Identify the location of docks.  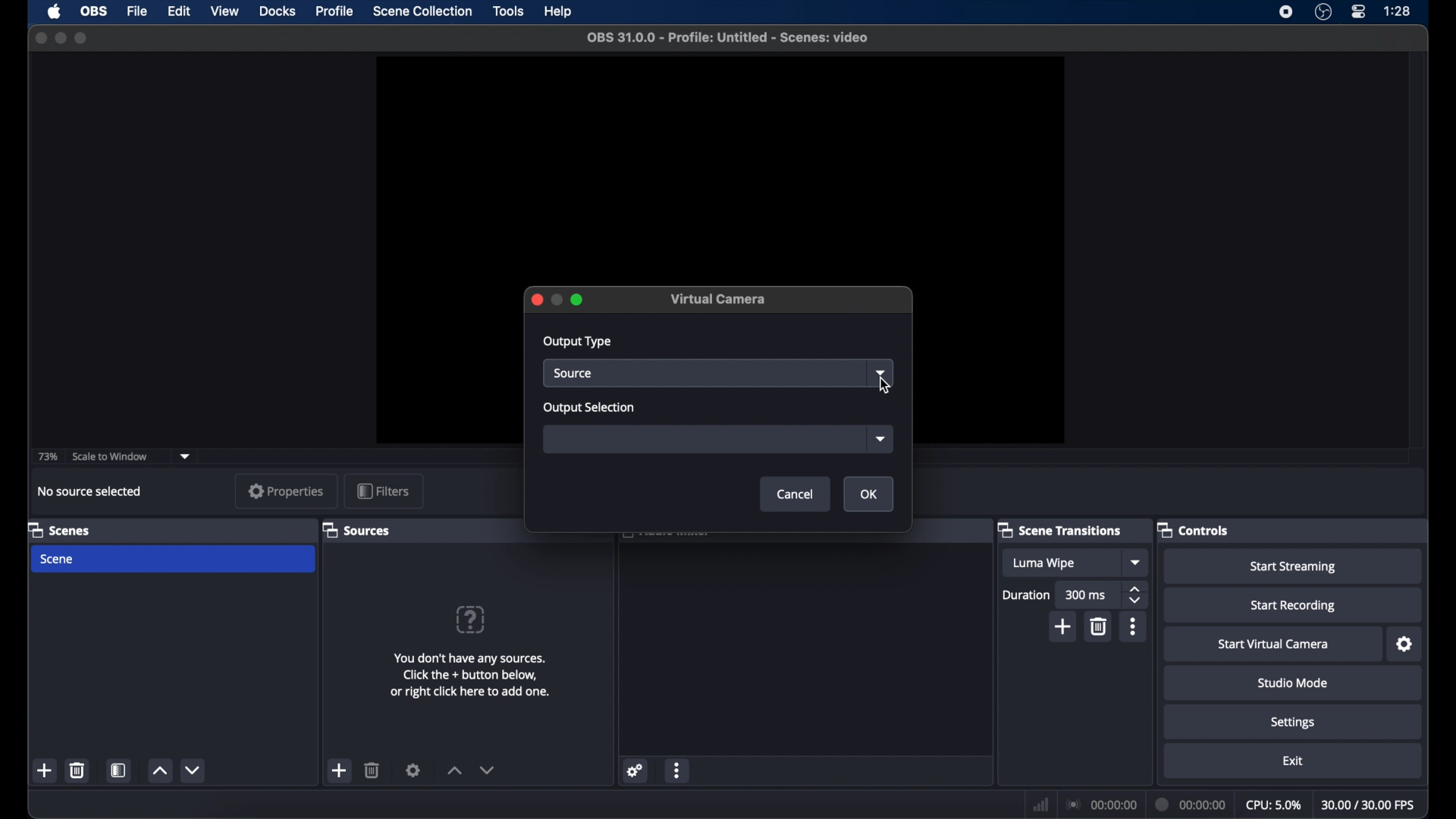
(278, 12).